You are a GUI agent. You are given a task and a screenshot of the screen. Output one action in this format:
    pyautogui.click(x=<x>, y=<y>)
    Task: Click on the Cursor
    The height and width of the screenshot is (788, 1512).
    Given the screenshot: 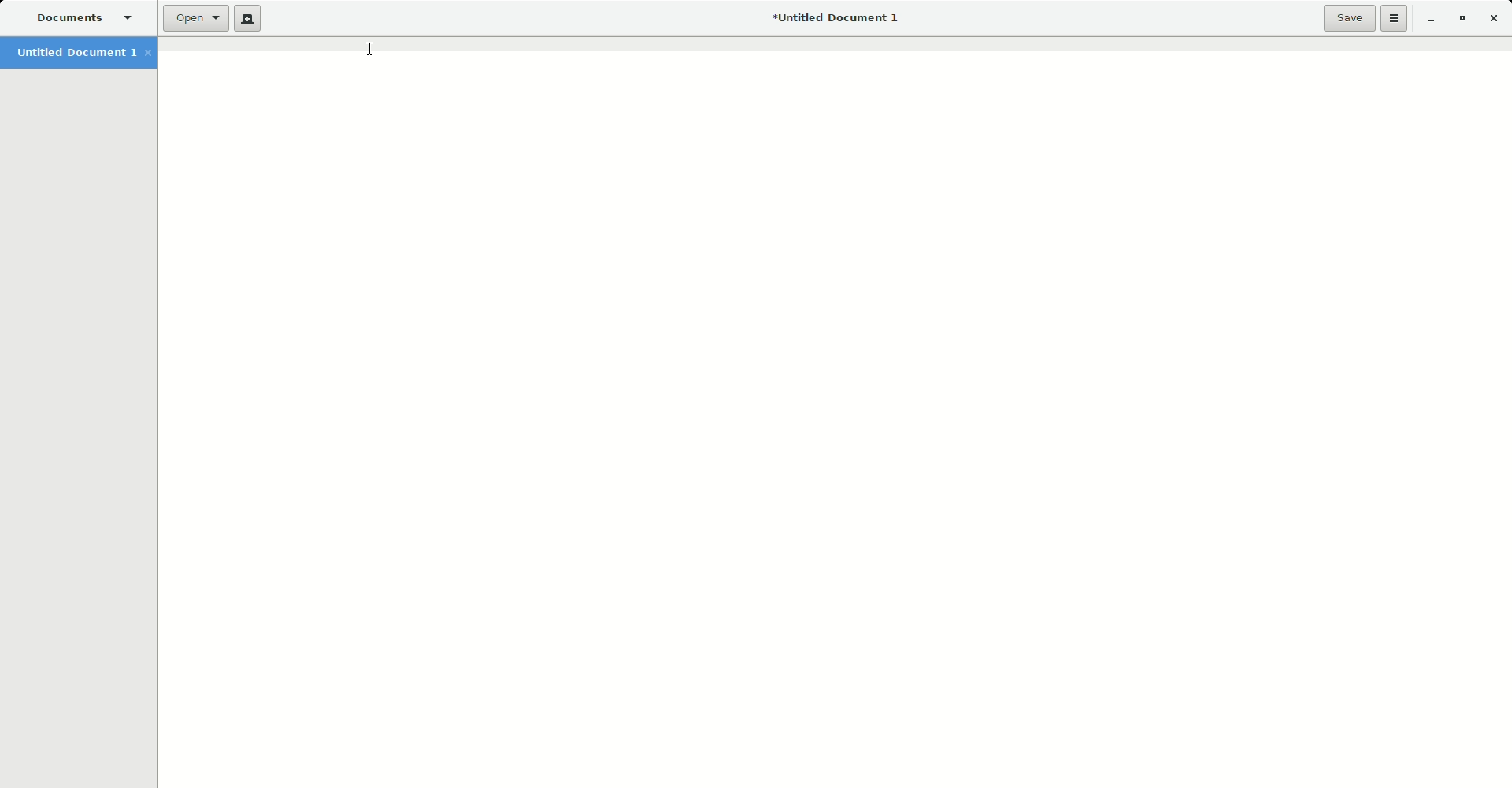 What is the action you would take?
    pyautogui.click(x=367, y=47)
    